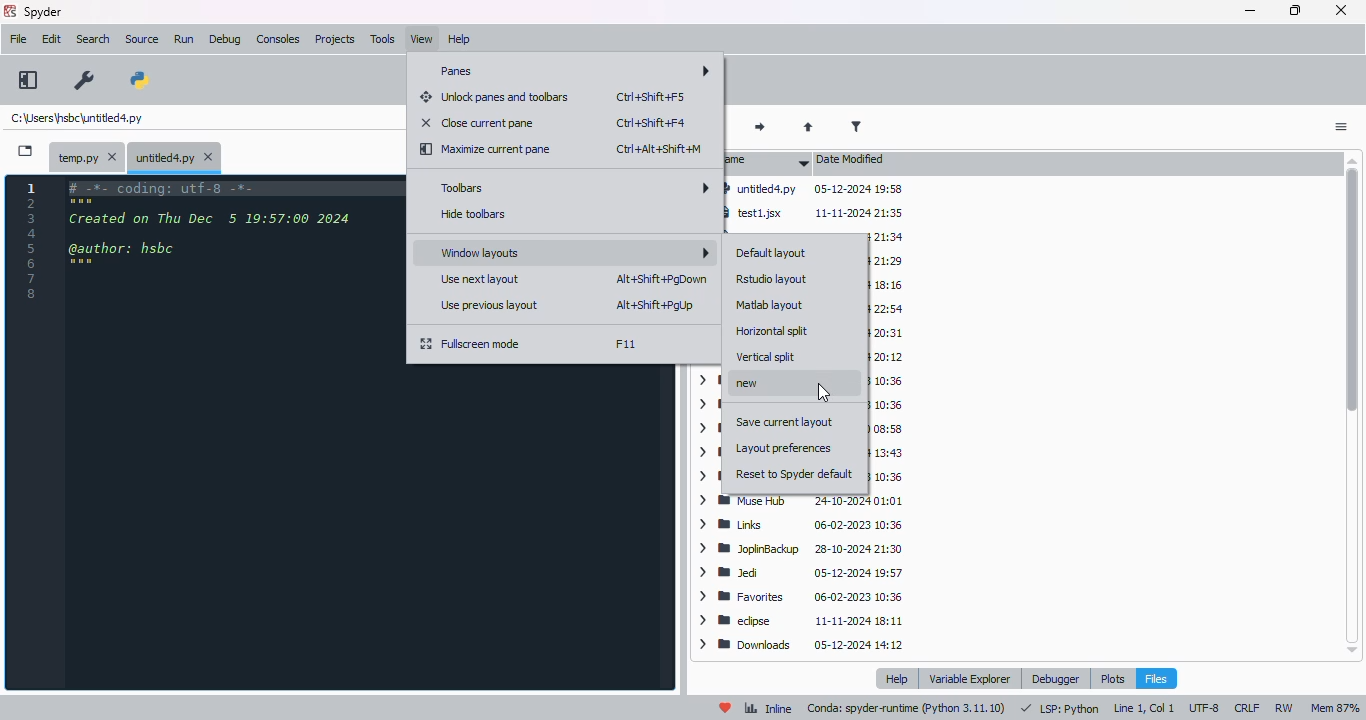 This screenshot has width=1366, height=720. Describe the element at coordinates (1355, 404) in the screenshot. I see `vertical scroll bar` at that location.